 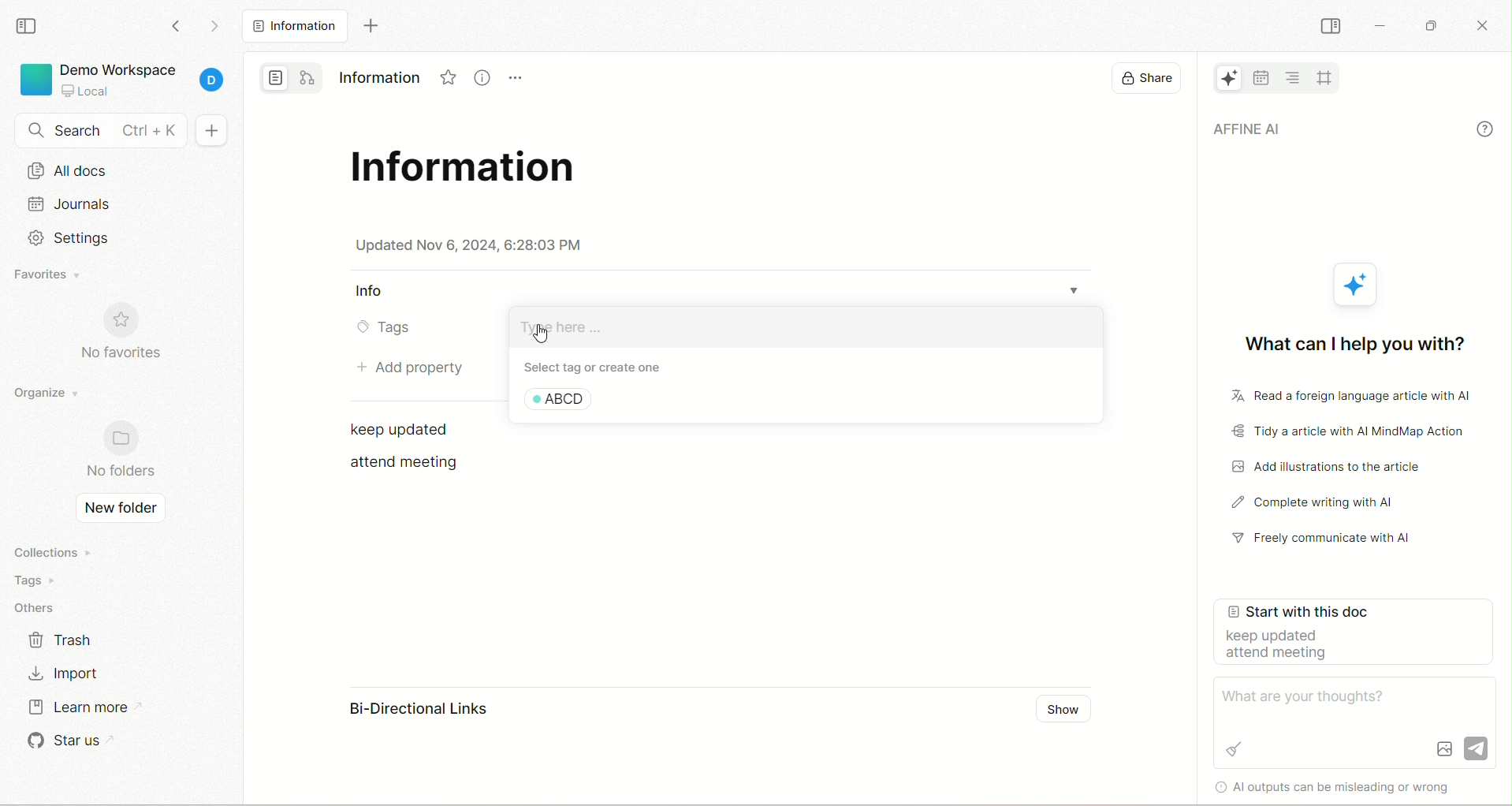 I want to click on add illustrations to the article, so click(x=1335, y=467).